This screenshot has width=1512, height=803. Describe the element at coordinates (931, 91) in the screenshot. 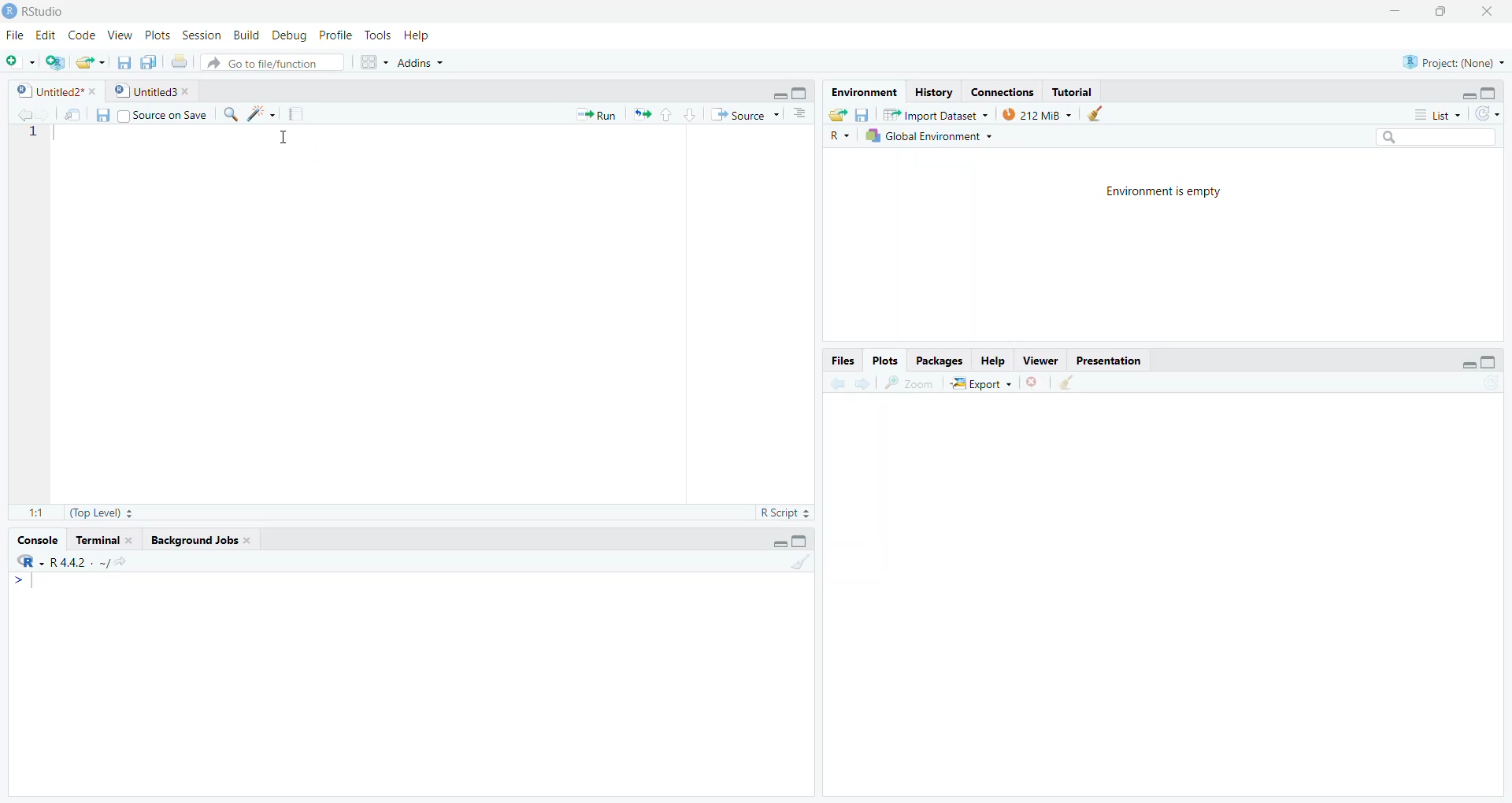

I see `history` at that location.